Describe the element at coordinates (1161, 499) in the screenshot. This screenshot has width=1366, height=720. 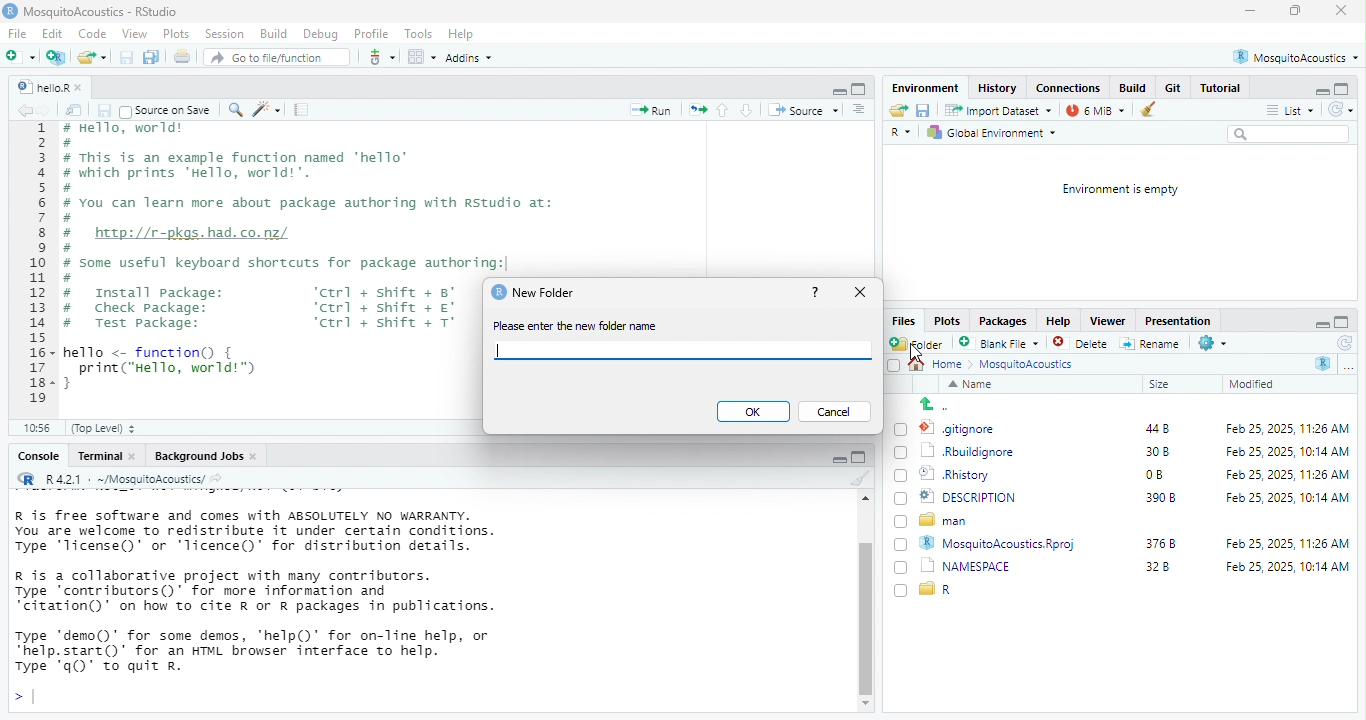
I see `3908` at that location.